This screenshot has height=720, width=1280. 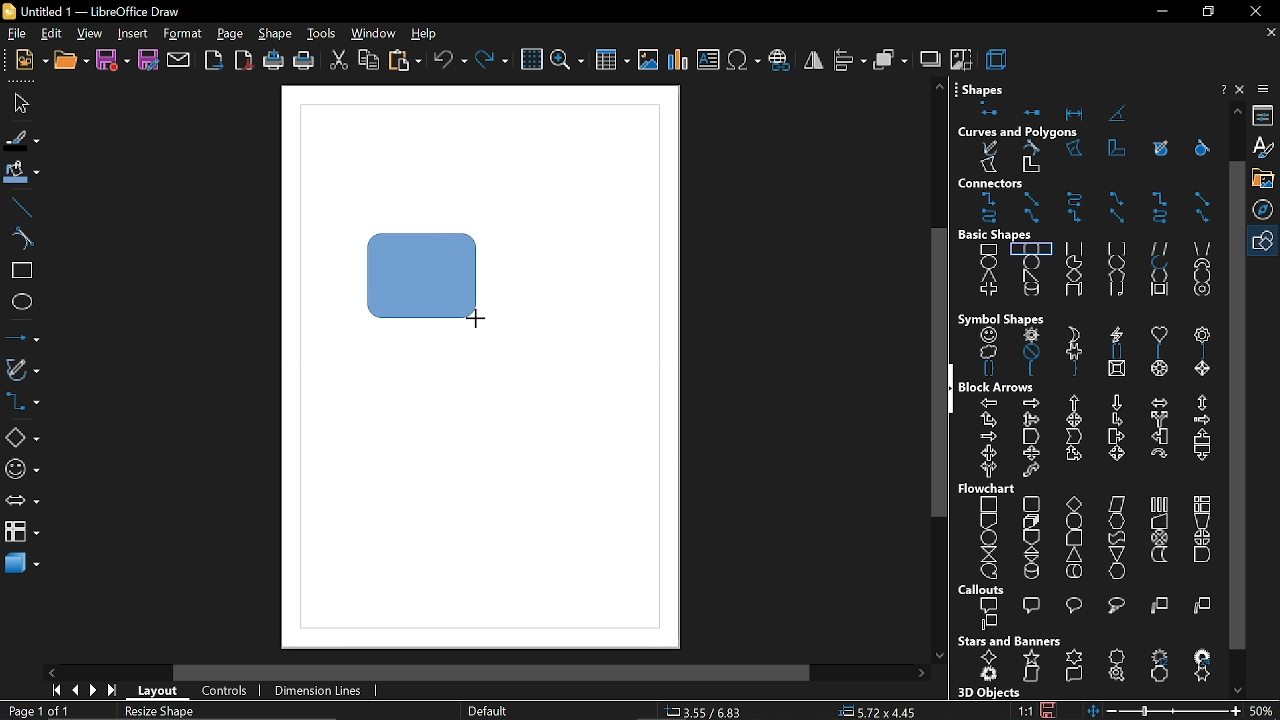 I want to click on scroll bar, so click(x=492, y=674).